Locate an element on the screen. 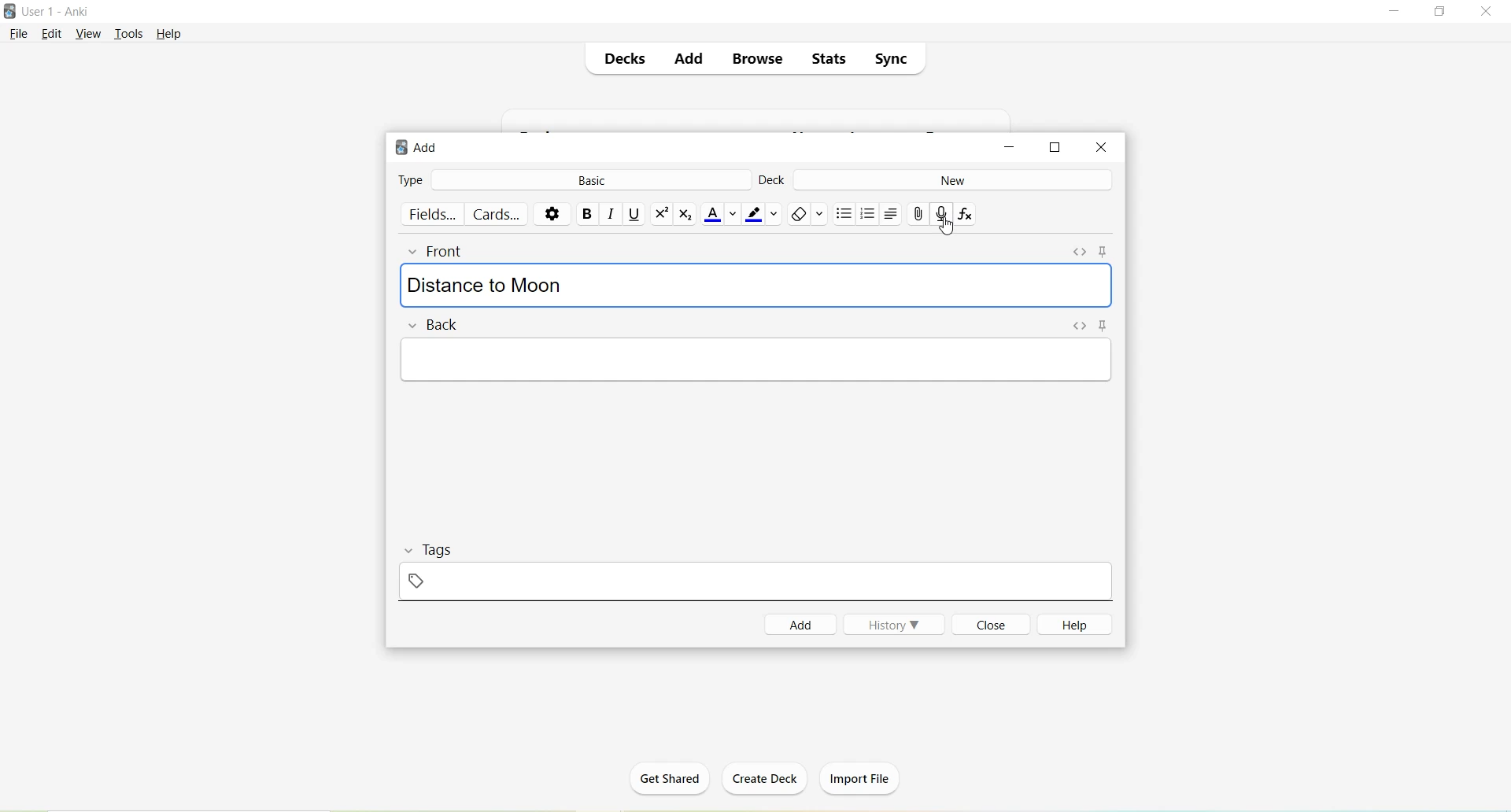  Decks is located at coordinates (623, 57).